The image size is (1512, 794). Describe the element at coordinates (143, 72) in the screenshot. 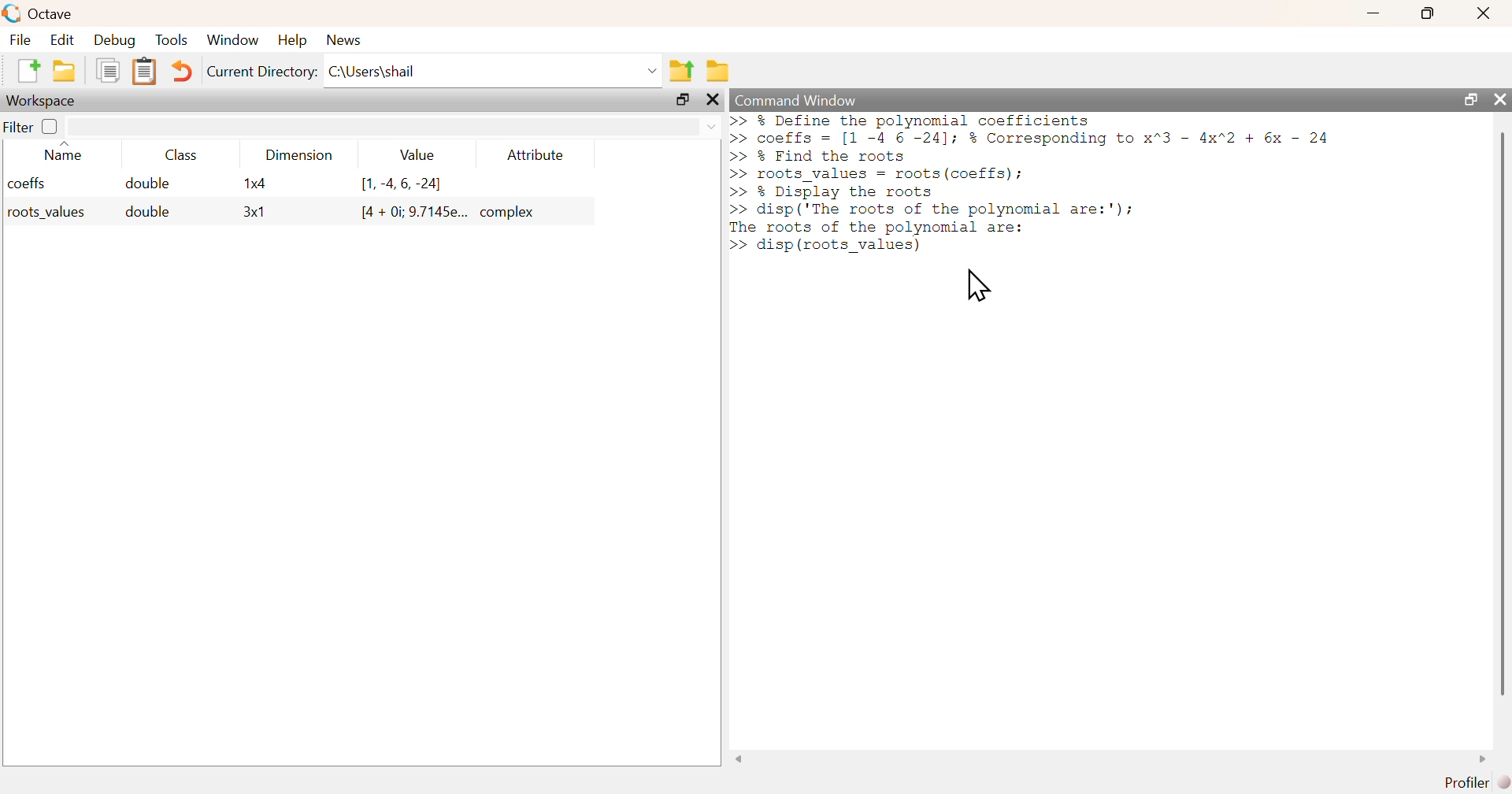

I see `Clipboard` at that location.